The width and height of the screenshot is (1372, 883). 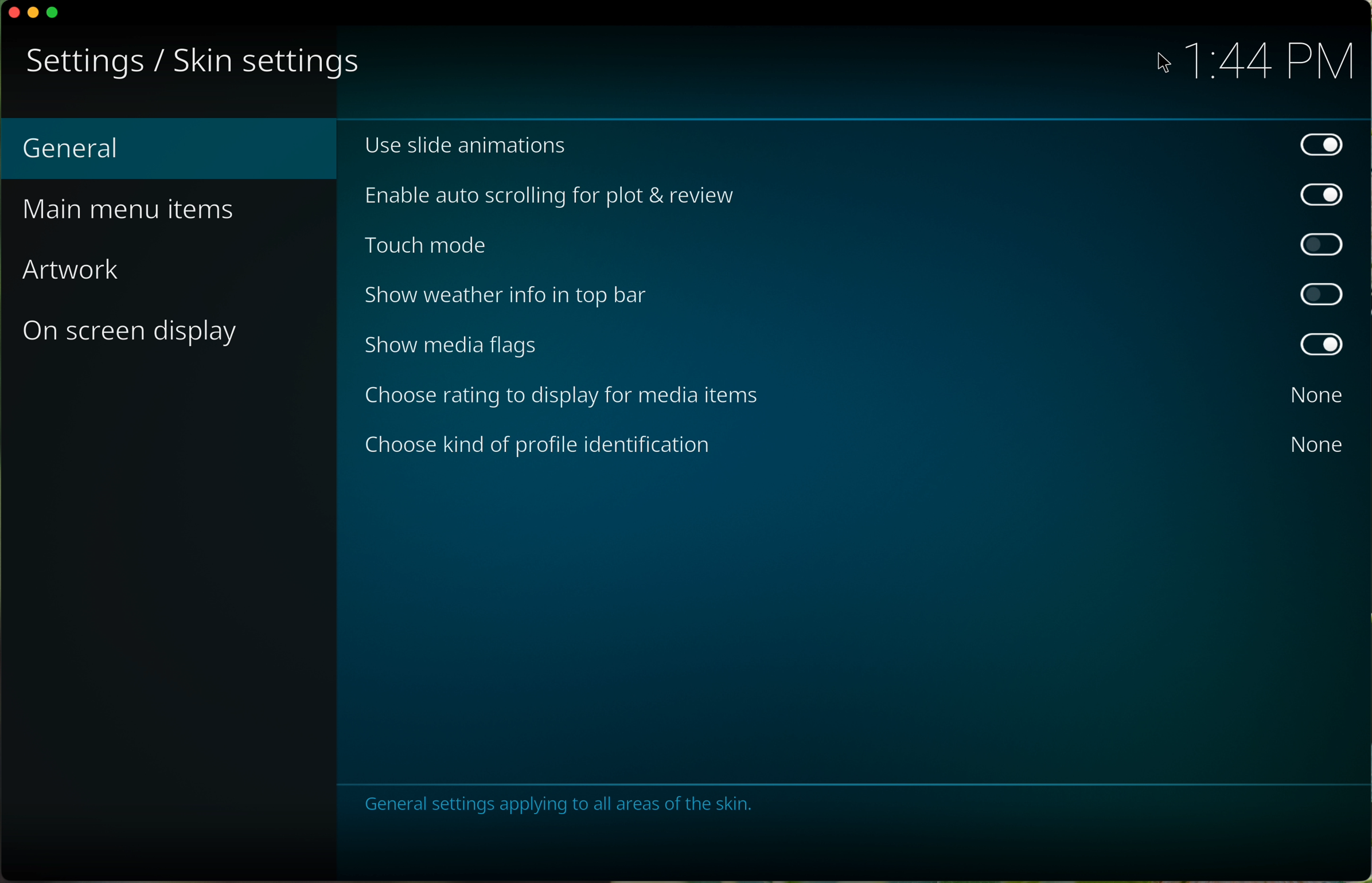 I want to click on artwork, so click(x=75, y=272).